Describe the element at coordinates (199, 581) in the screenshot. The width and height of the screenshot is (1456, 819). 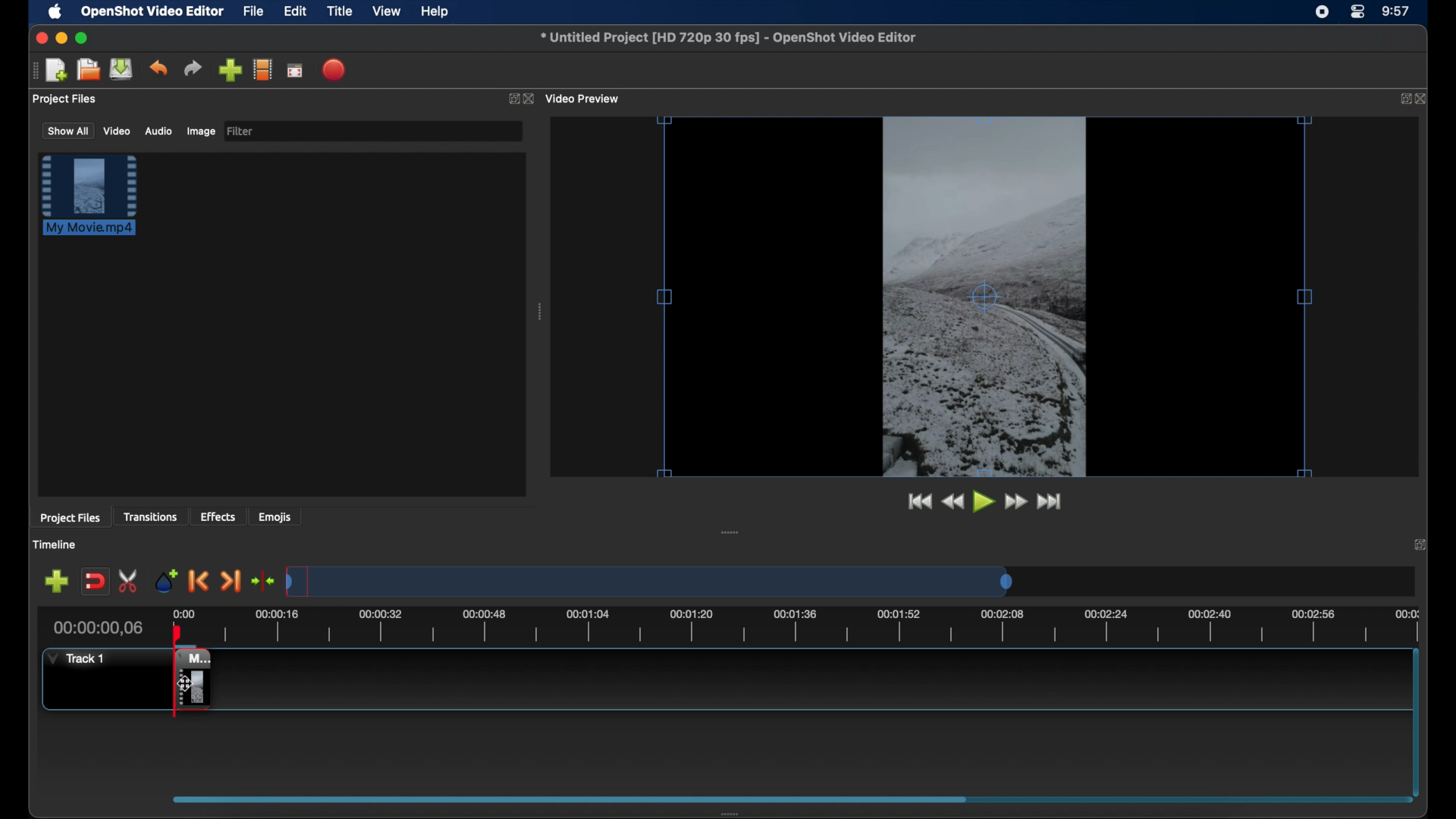
I see `previous marker` at that location.